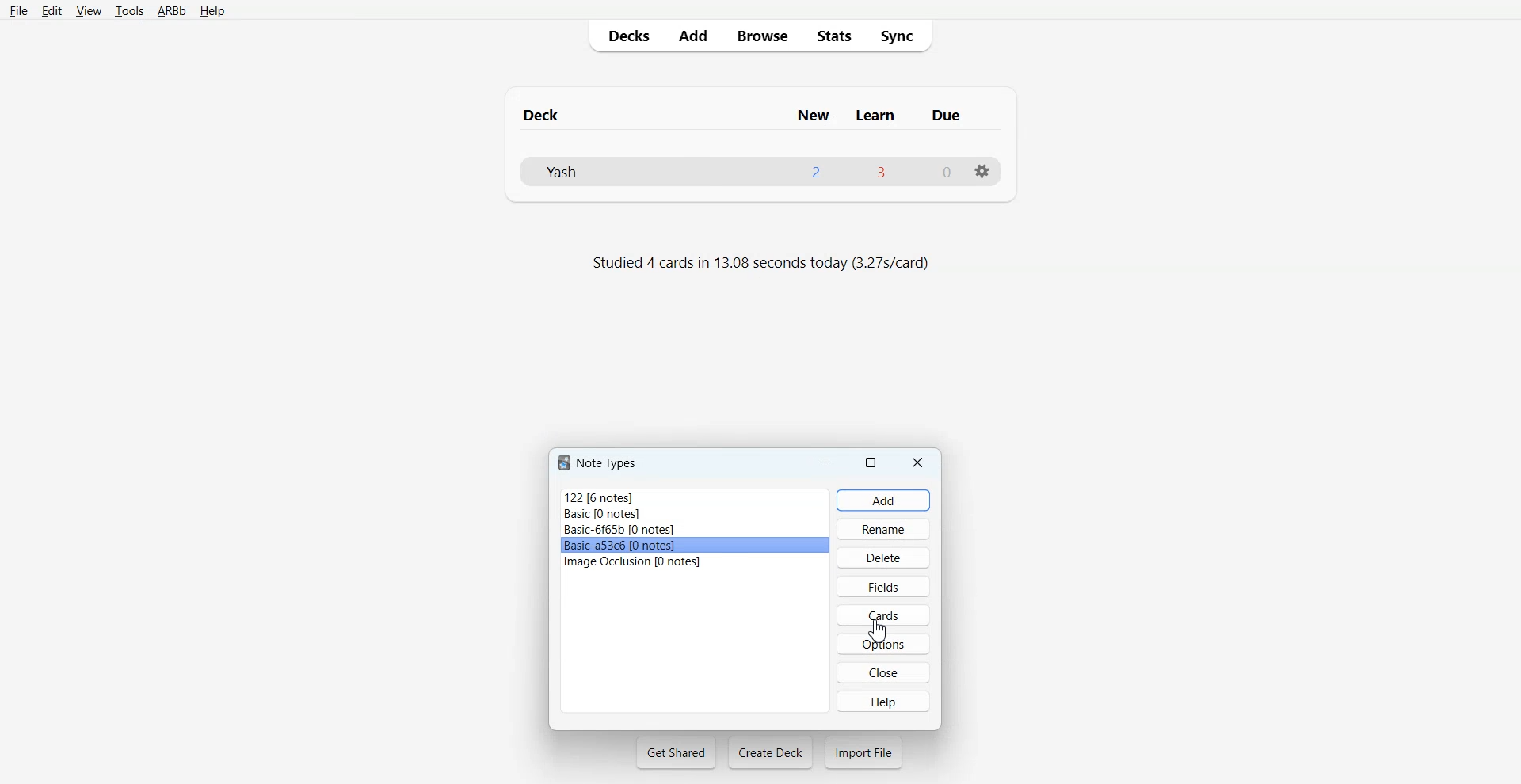 This screenshot has height=784, width=1521. Describe the element at coordinates (750, 115) in the screenshot. I see `Deck New Learn Due` at that location.